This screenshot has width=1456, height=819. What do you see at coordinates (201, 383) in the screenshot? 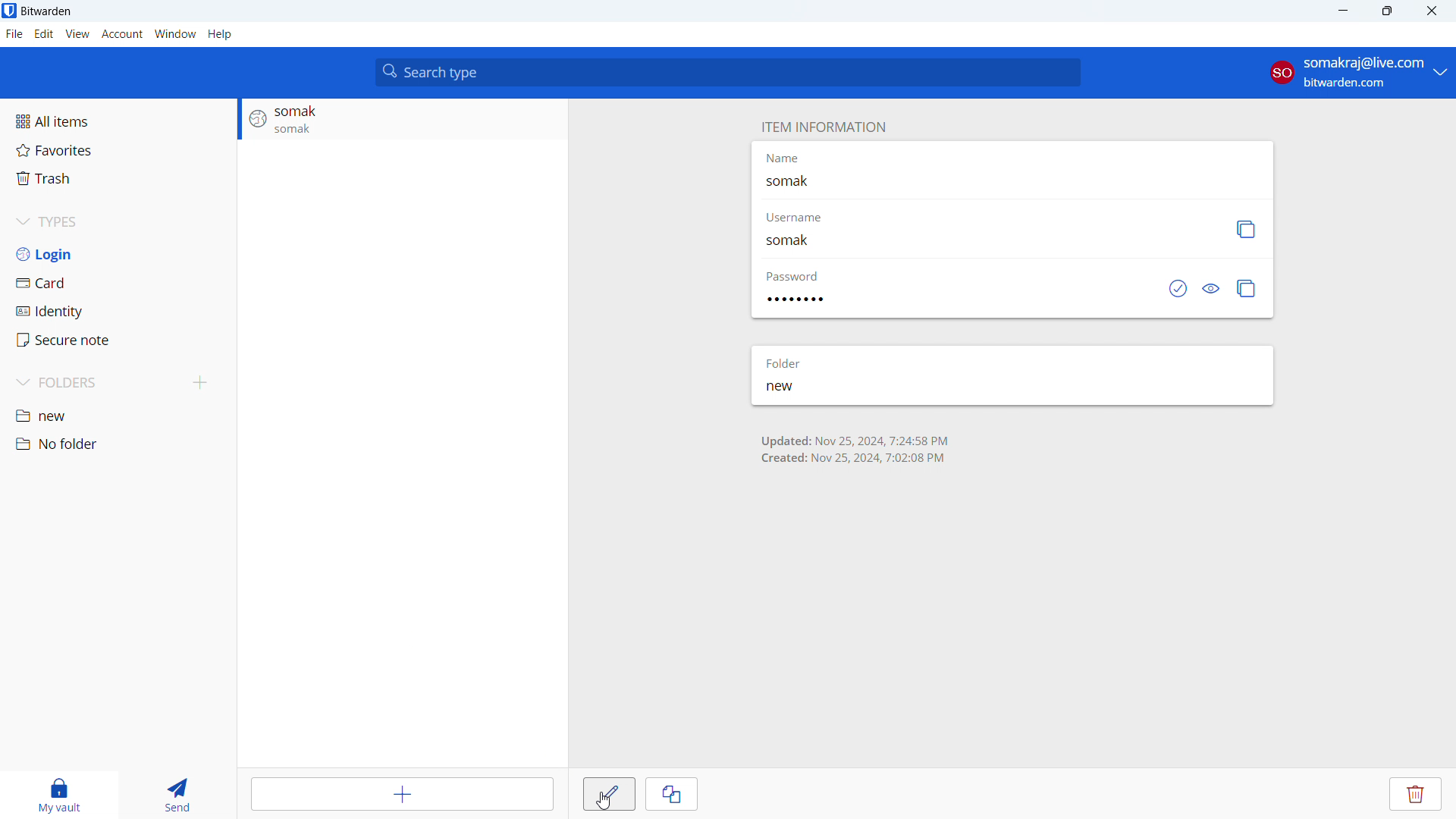
I see `add folders` at bounding box center [201, 383].